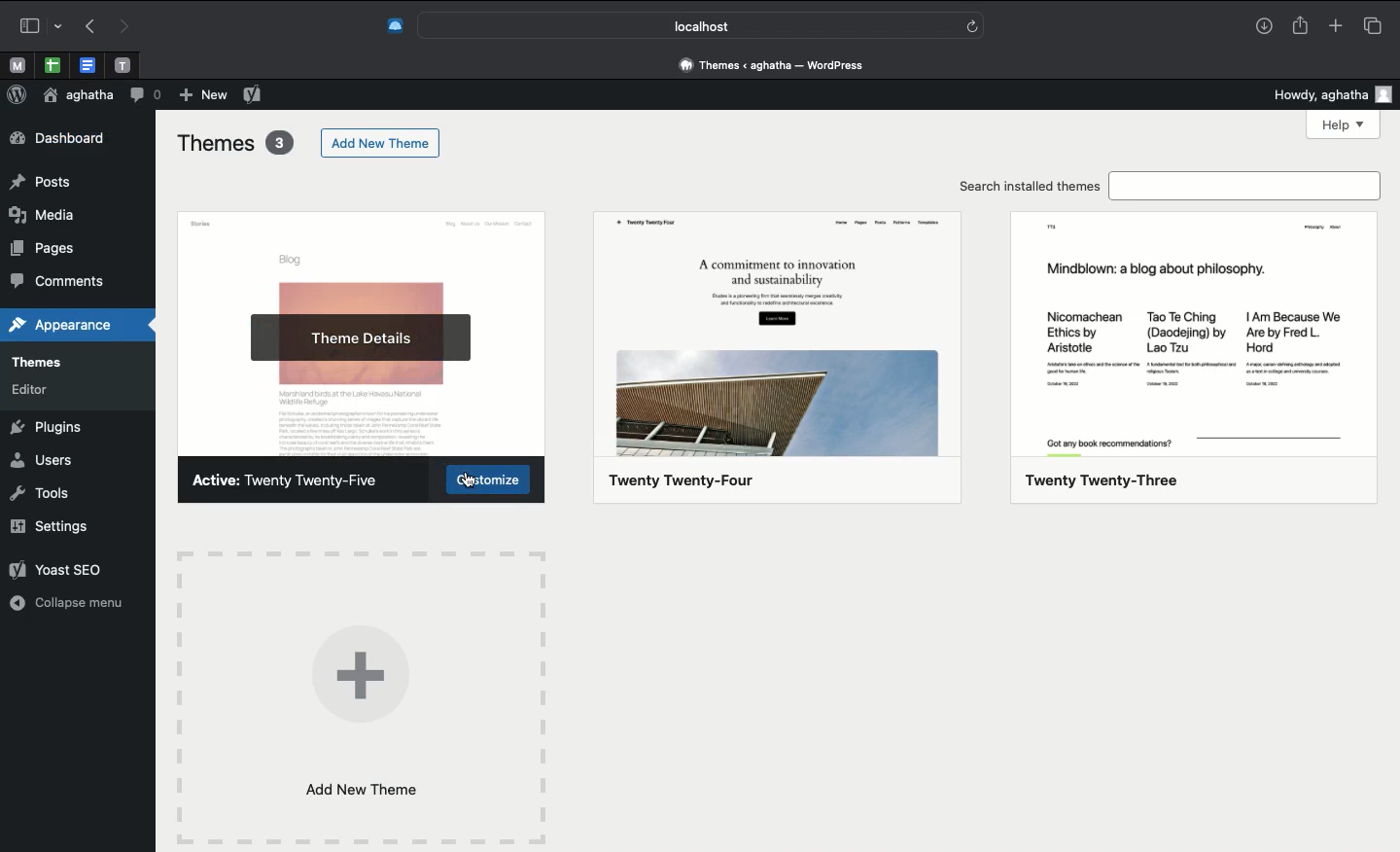  I want to click on Search installed themes, so click(1163, 186).